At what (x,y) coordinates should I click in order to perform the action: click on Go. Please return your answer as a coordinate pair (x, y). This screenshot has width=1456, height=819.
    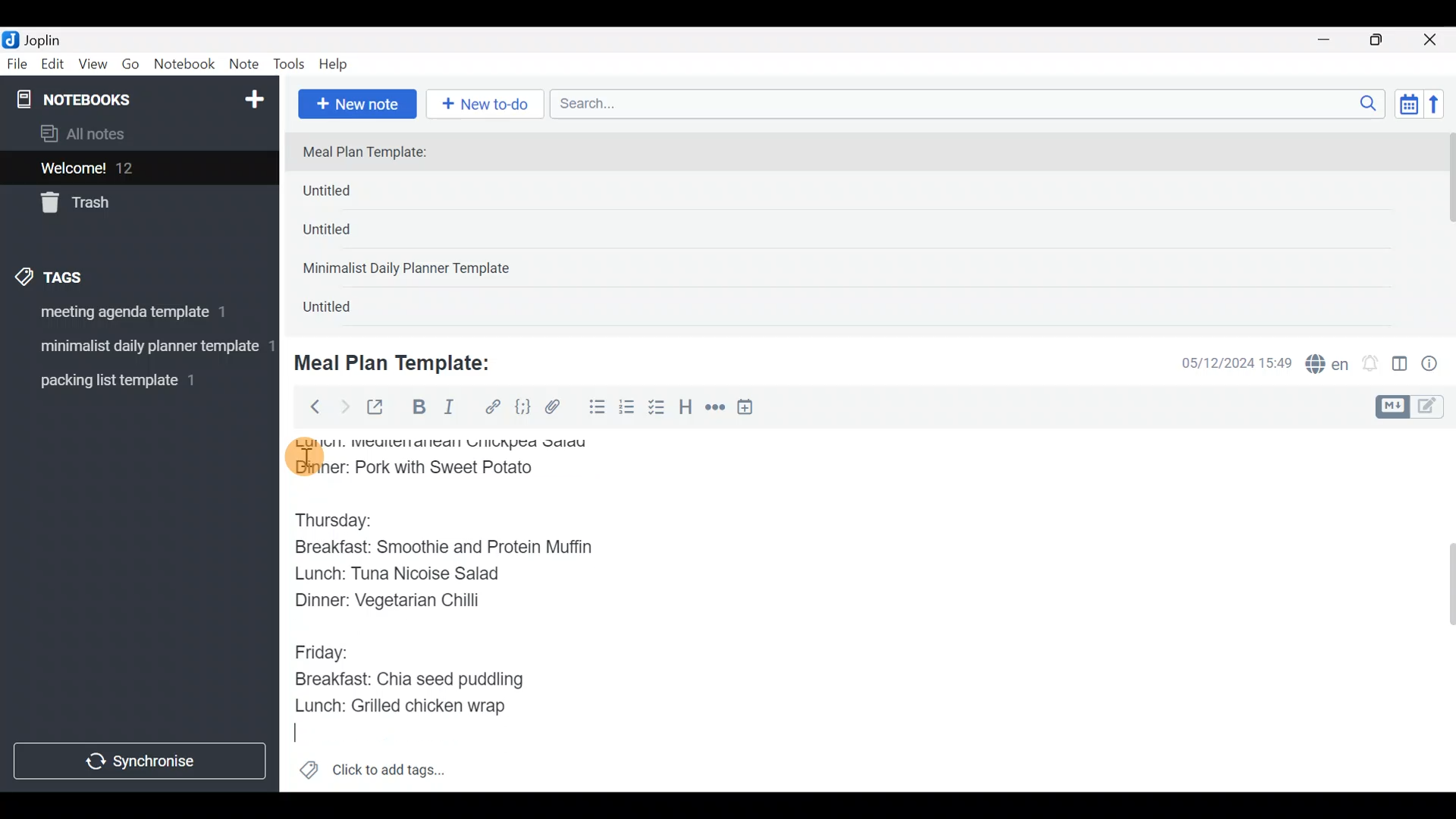
    Looking at the image, I should click on (130, 67).